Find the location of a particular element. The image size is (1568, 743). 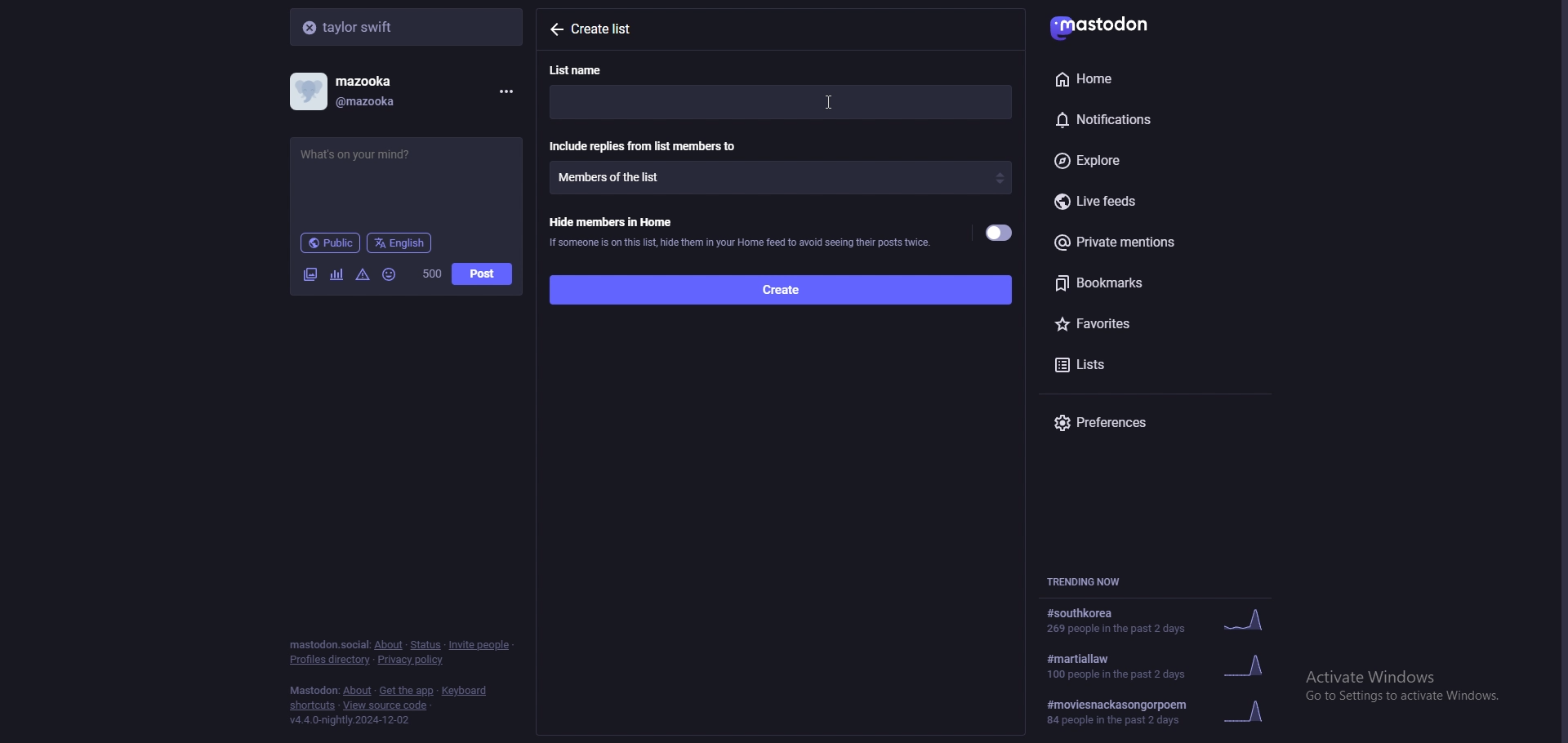

menu is located at coordinates (503, 91).